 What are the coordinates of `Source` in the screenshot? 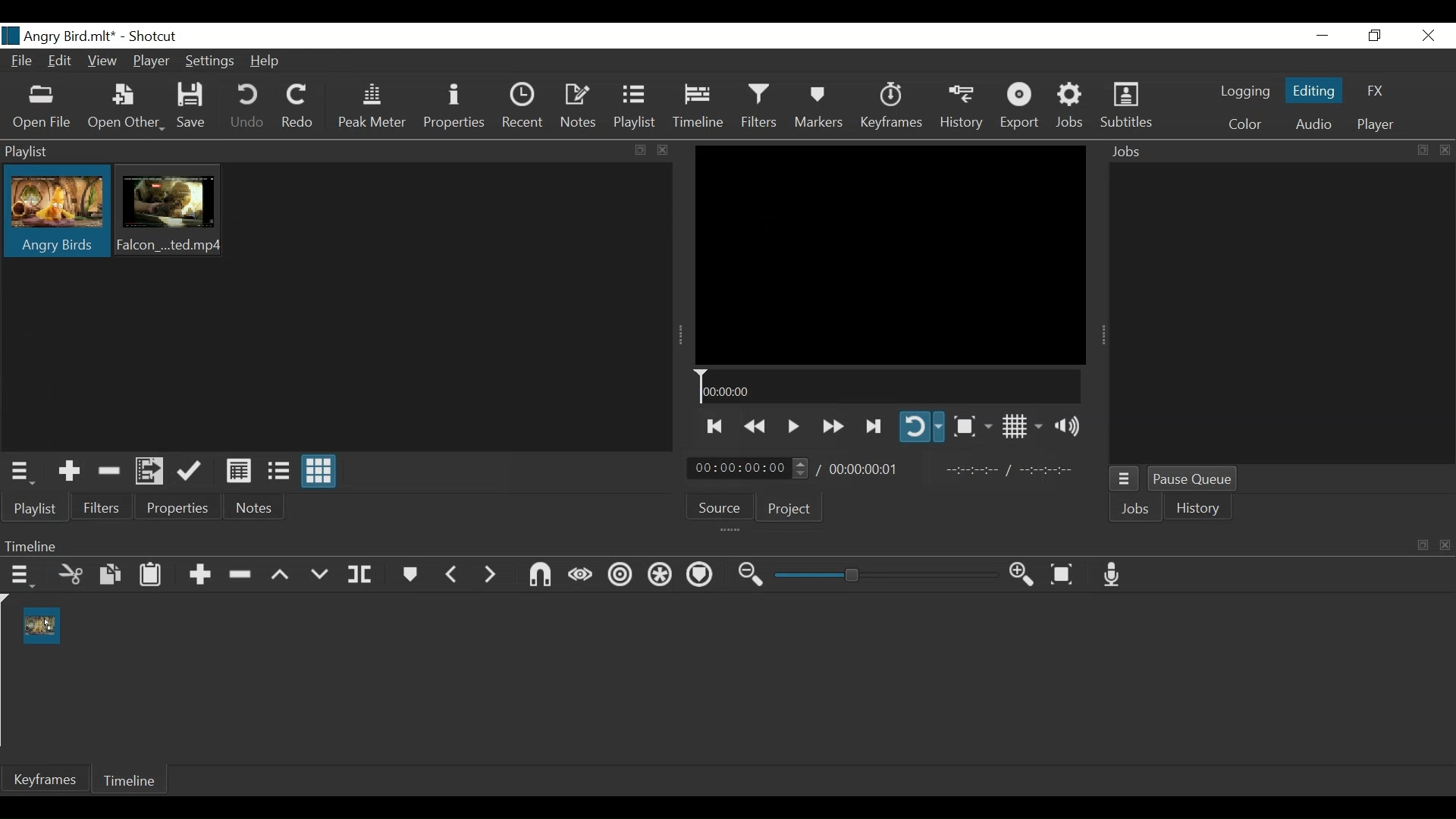 It's located at (722, 510).